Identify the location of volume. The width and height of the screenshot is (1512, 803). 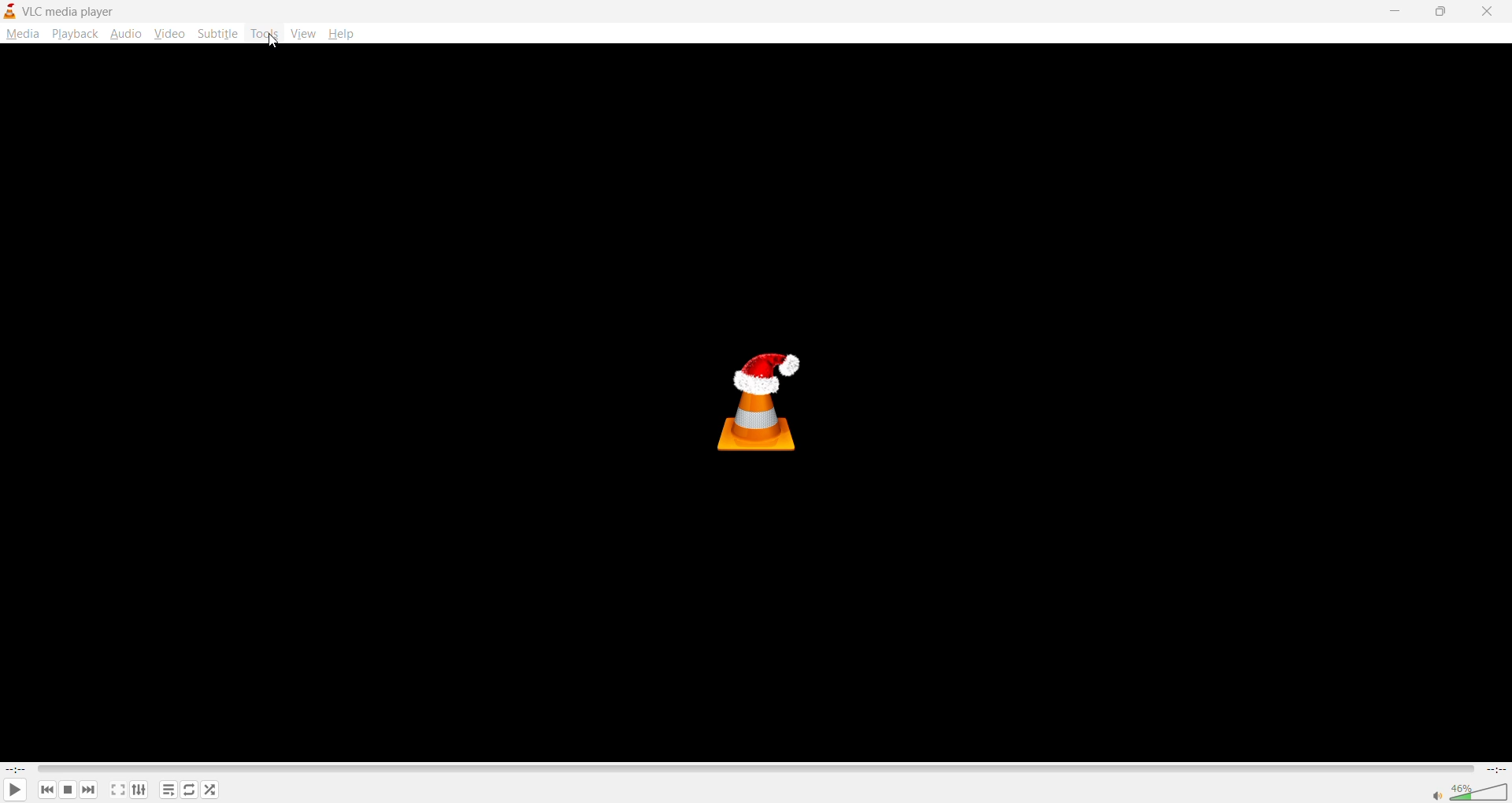
(1469, 790).